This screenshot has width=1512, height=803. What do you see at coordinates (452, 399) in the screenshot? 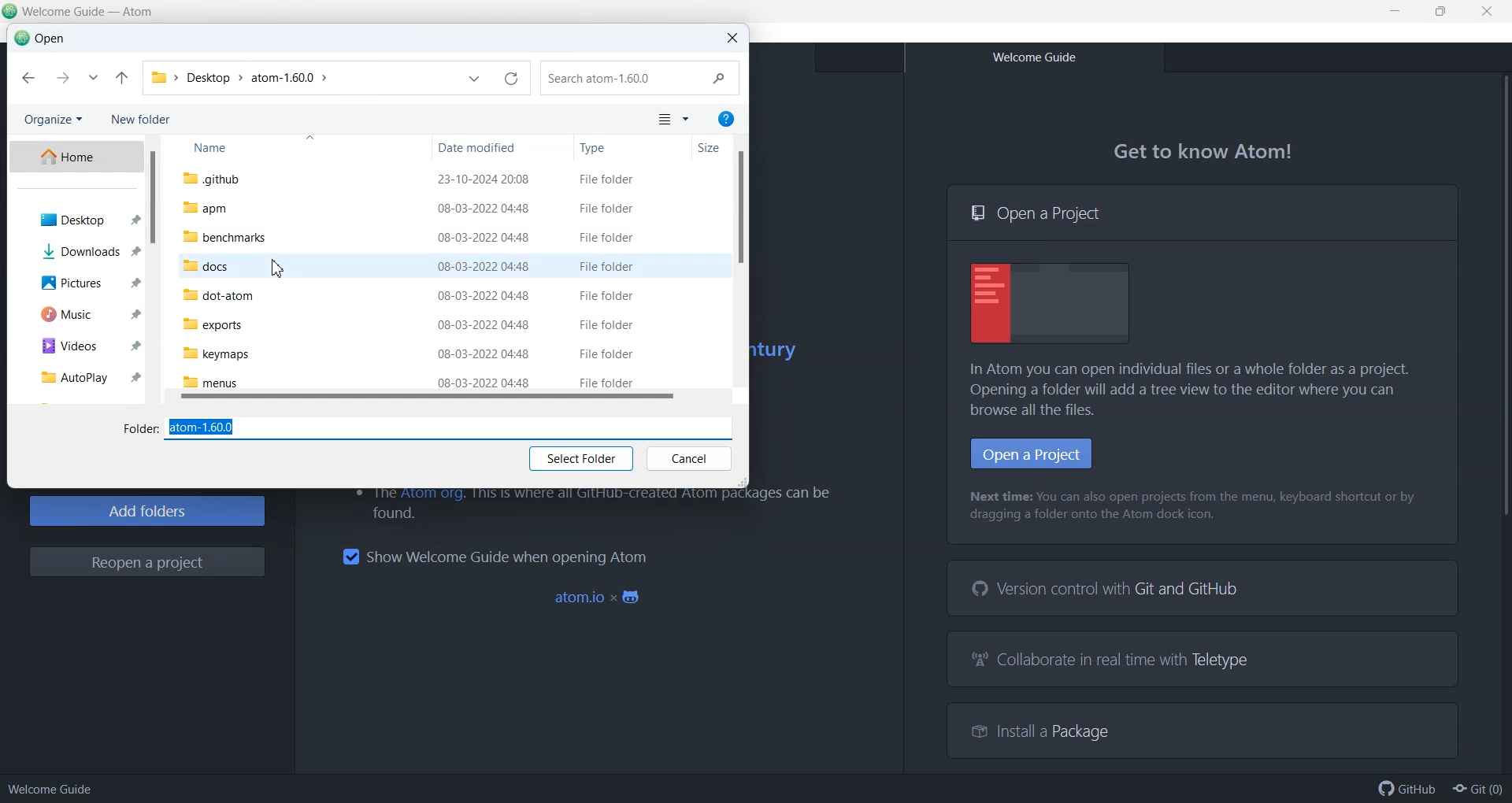
I see `Horizontal Scroll bar` at bounding box center [452, 399].